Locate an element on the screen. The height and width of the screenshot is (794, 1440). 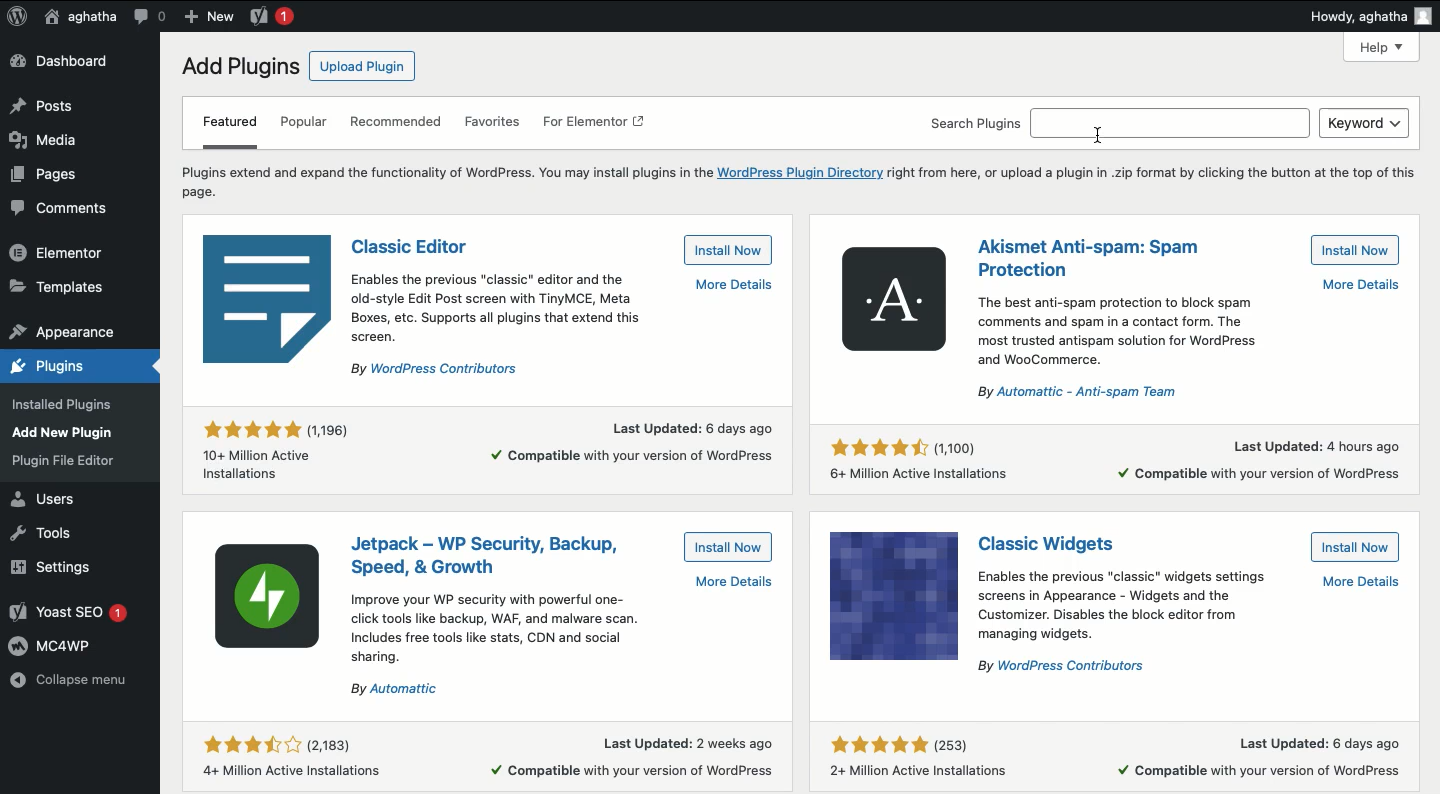
MC4WP is located at coordinates (53, 646).